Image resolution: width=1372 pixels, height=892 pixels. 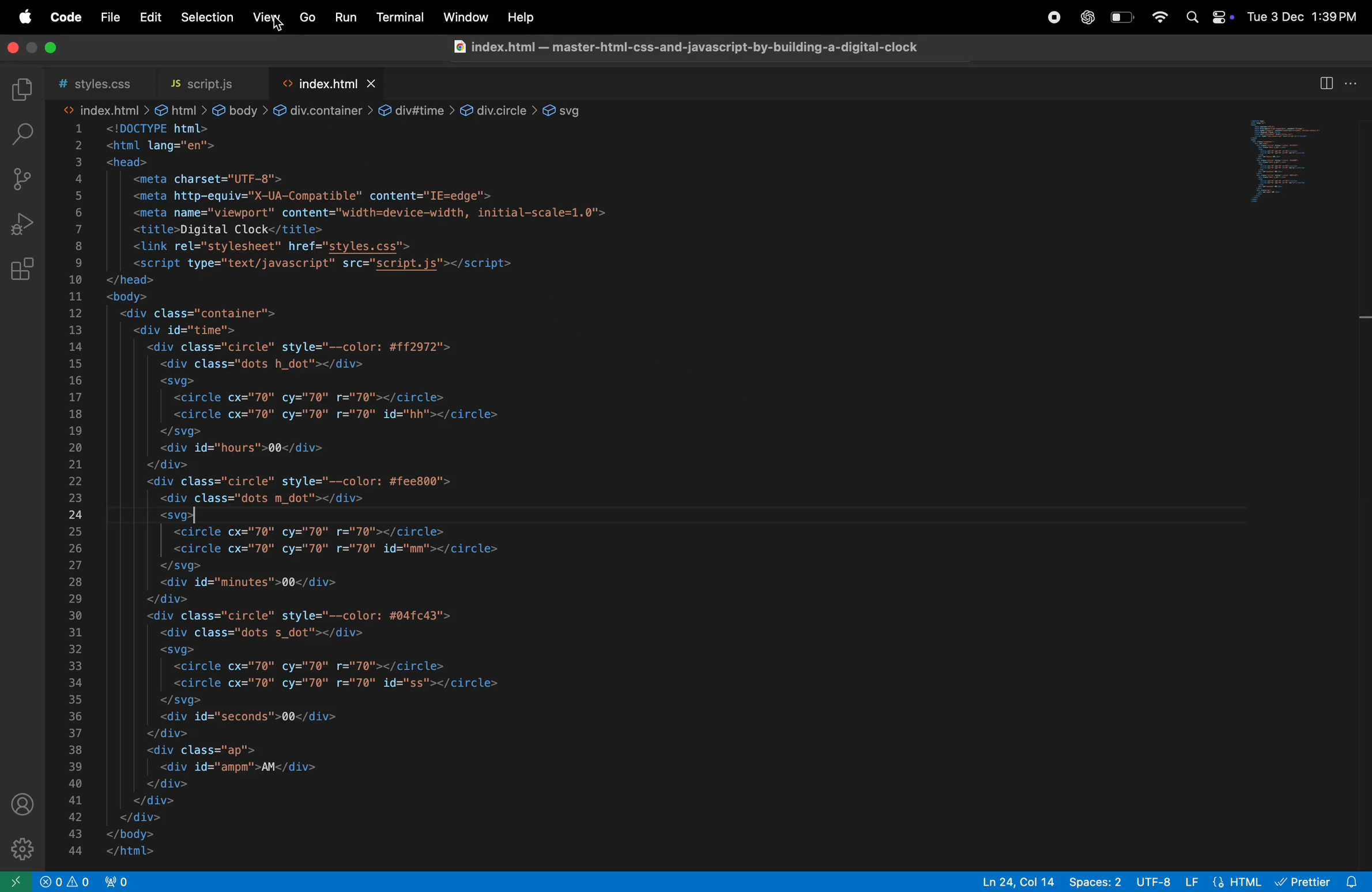 What do you see at coordinates (203, 17) in the screenshot?
I see `selection` at bounding box center [203, 17].